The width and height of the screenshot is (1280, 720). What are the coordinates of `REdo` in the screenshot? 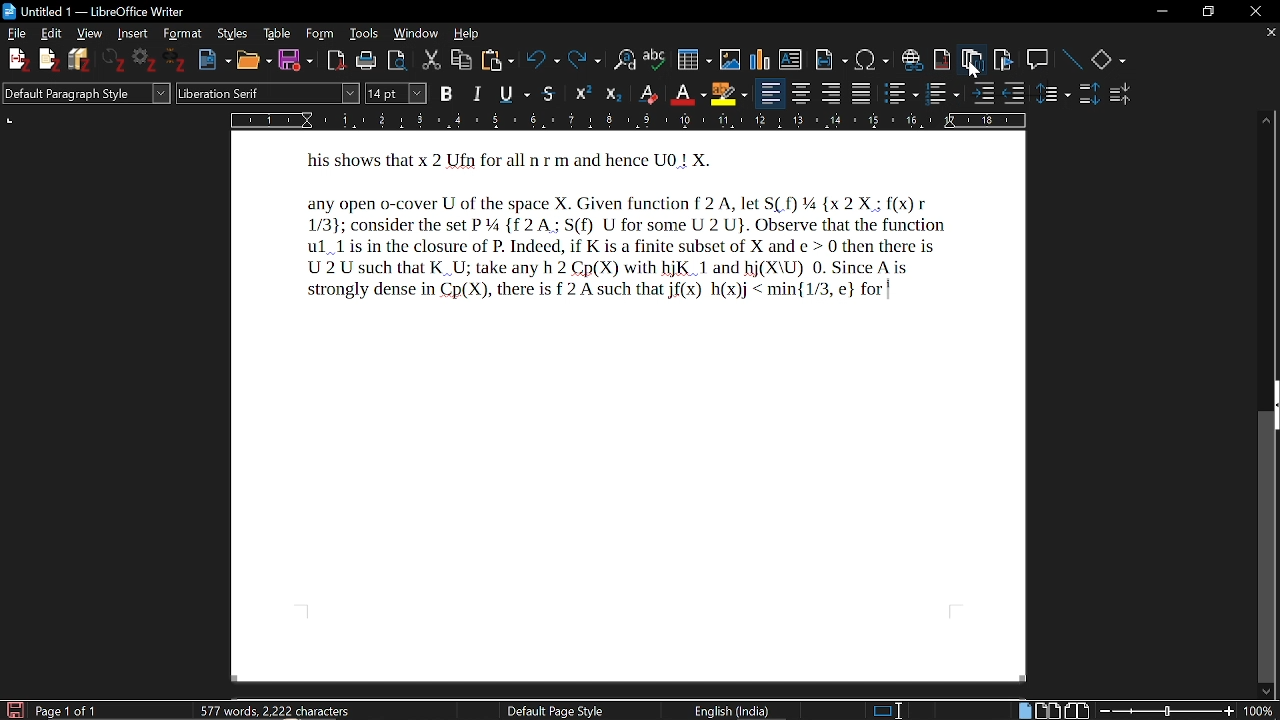 It's located at (585, 61).